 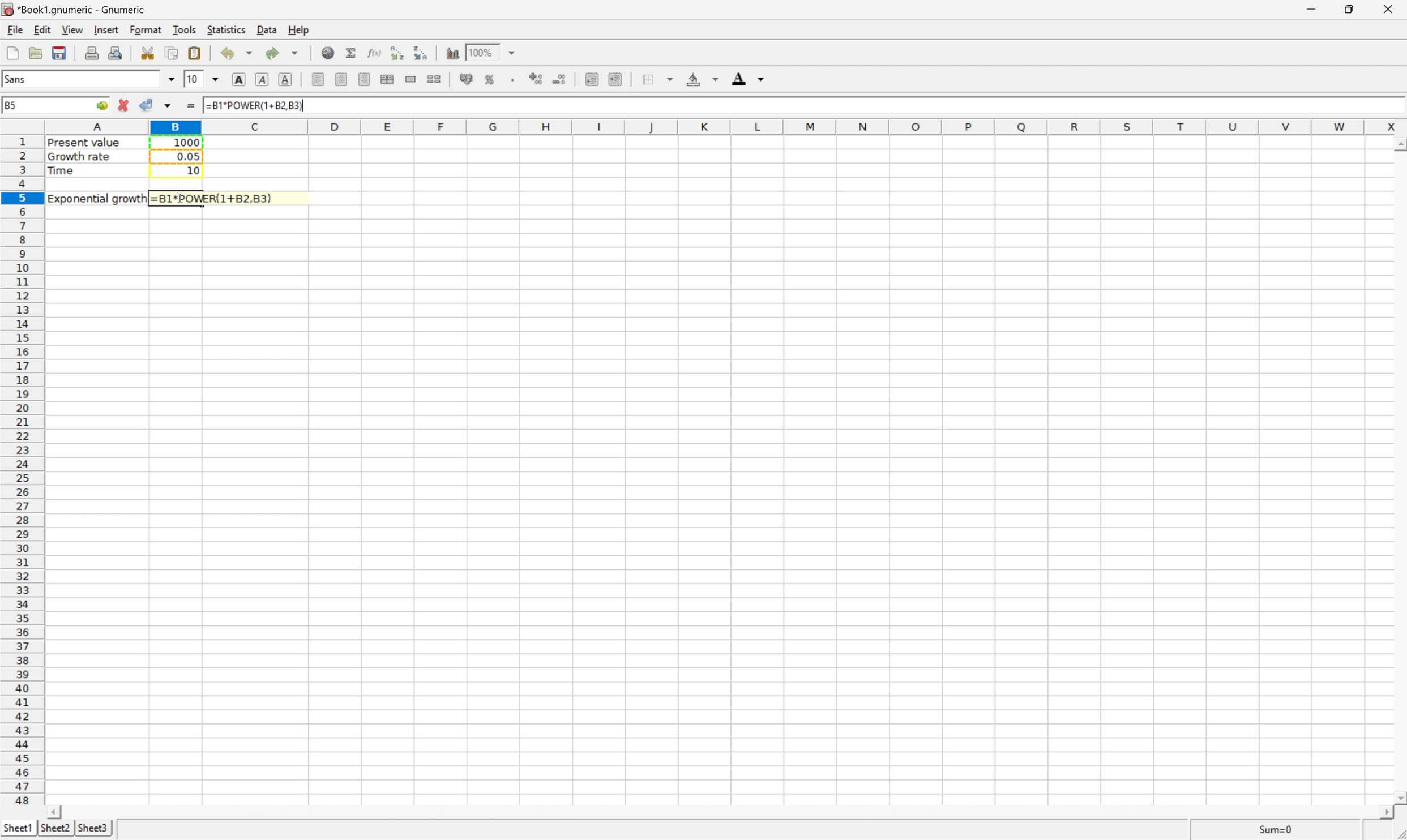 What do you see at coordinates (181, 199) in the screenshot?
I see `Cursor` at bounding box center [181, 199].